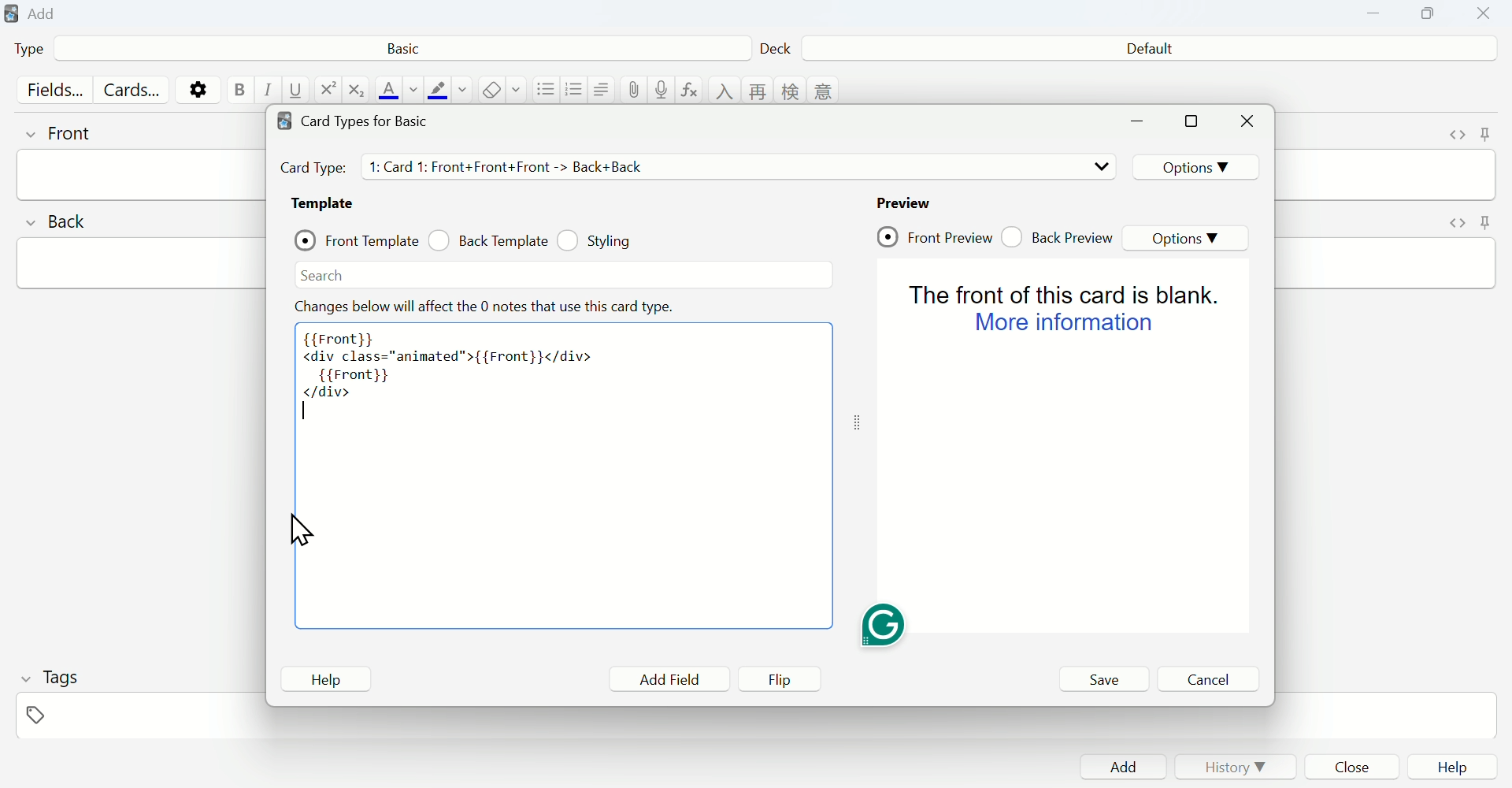 This screenshot has height=788, width=1512. Describe the element at coordinates (1123, 767) in the screenshot. I see `Add` at that location.